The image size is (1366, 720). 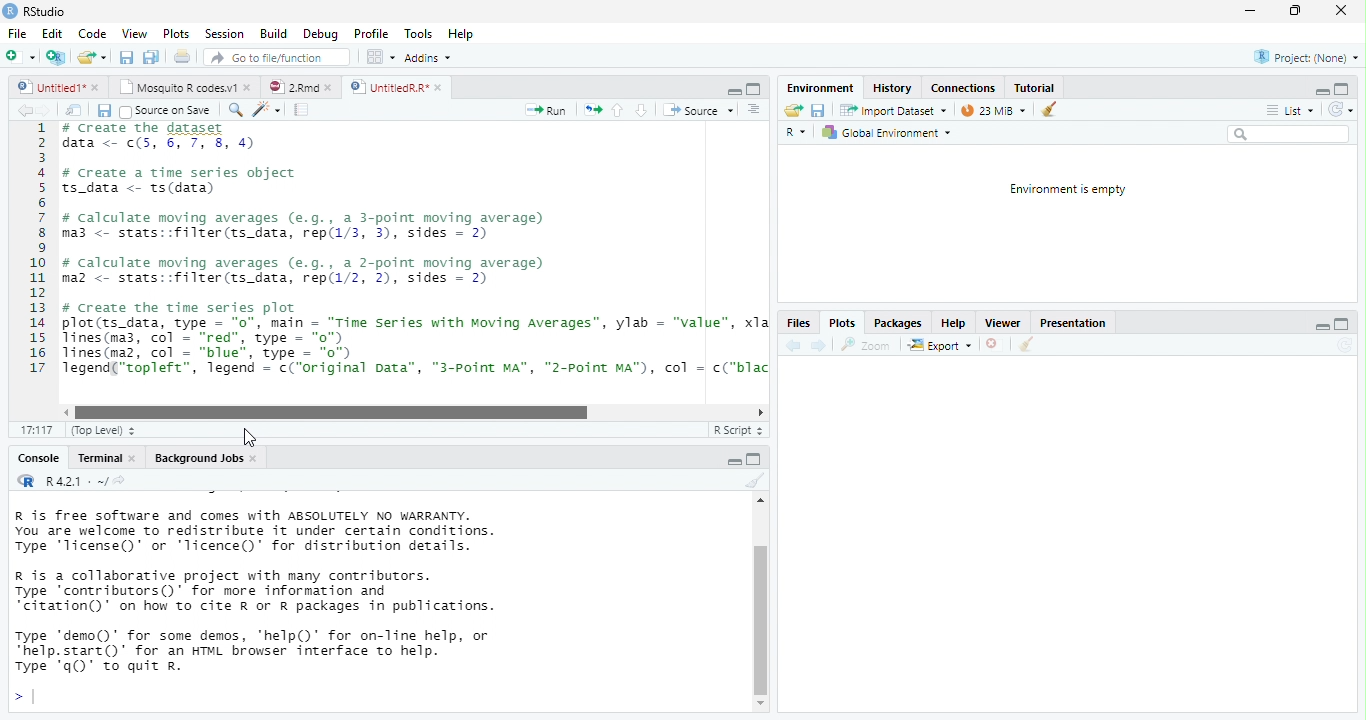 What do you see at coordinates (1319, 93) in the screenshot?
I see `minimize` at bounding box center [1319, 93].